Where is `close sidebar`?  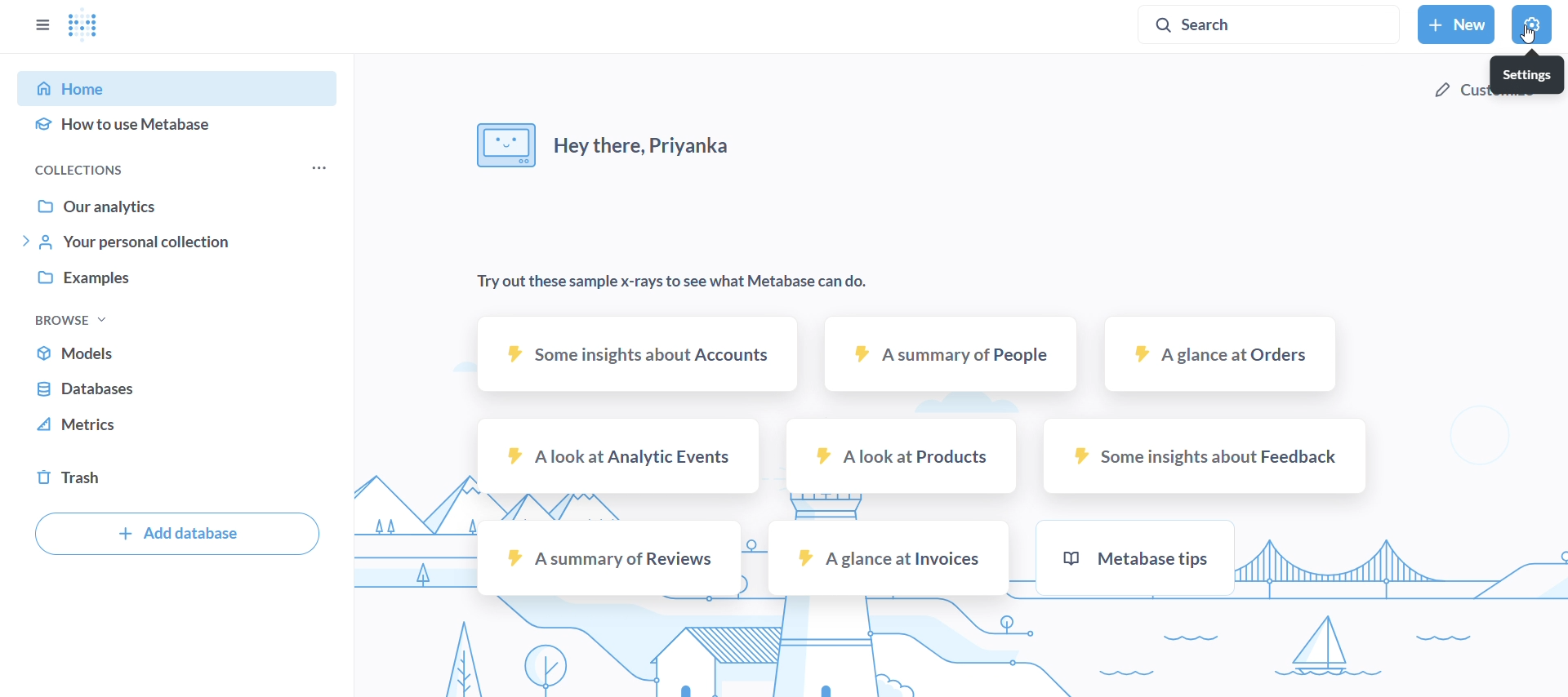 close sidebar is located at coordinates (40, 26).